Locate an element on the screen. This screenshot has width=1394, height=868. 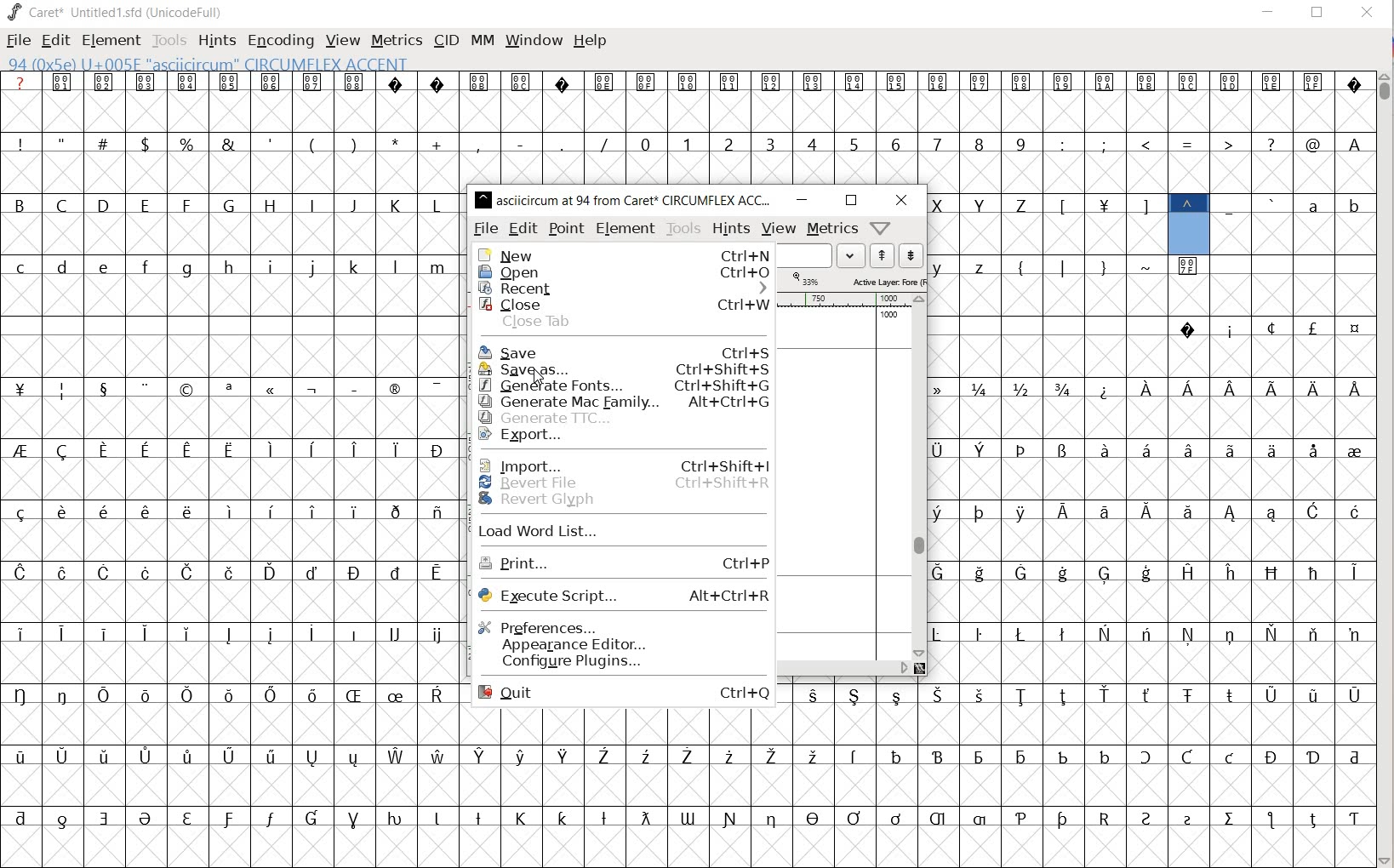
show the previous word on the list is located at coordinates (910, 254).